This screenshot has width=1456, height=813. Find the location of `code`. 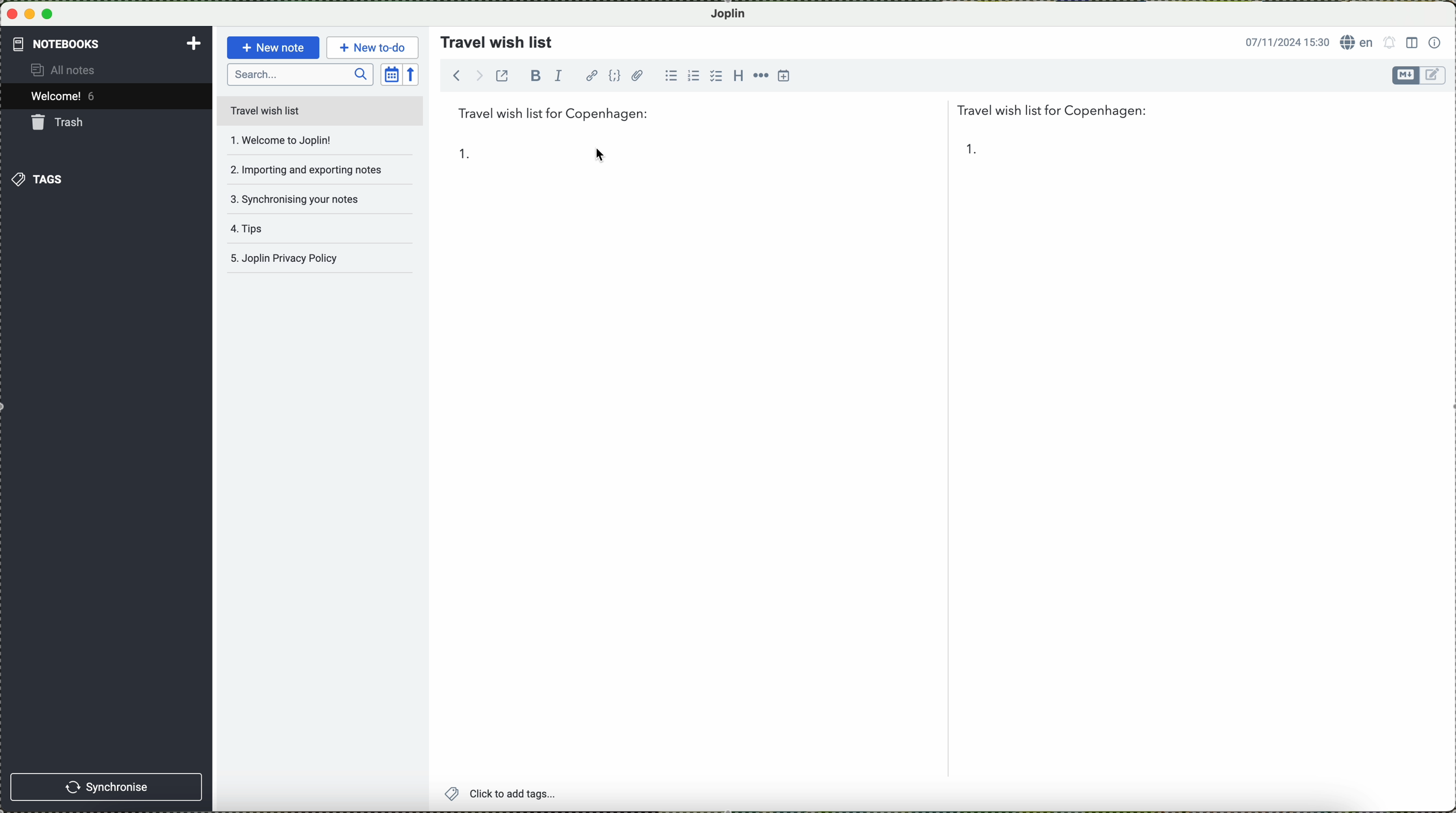

code is located at coordinates (616, 76).